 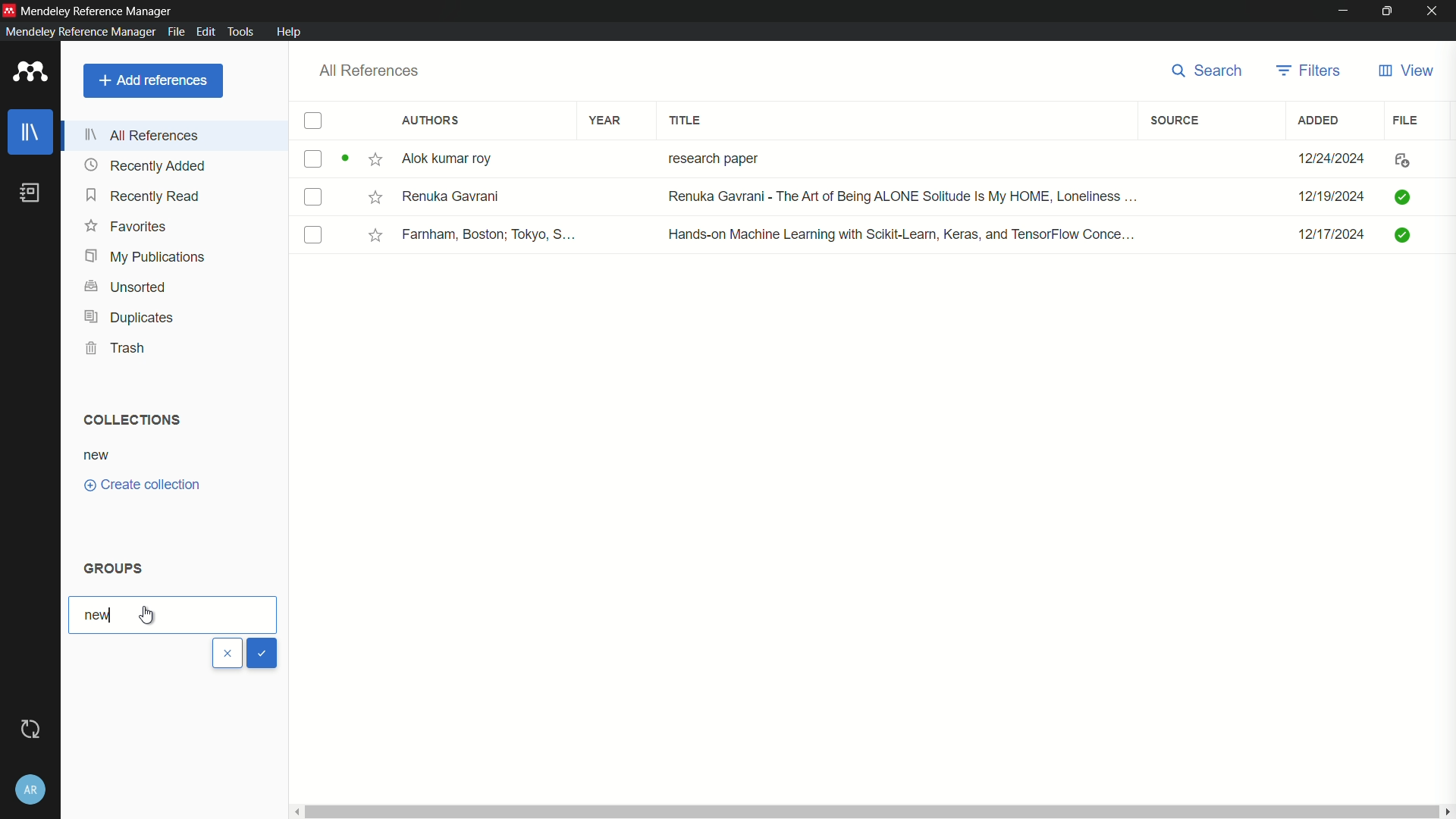 What do you see at coordinates (205, 31) in the screenshot?
I see `edit menu` at bounding box center [205, 31].